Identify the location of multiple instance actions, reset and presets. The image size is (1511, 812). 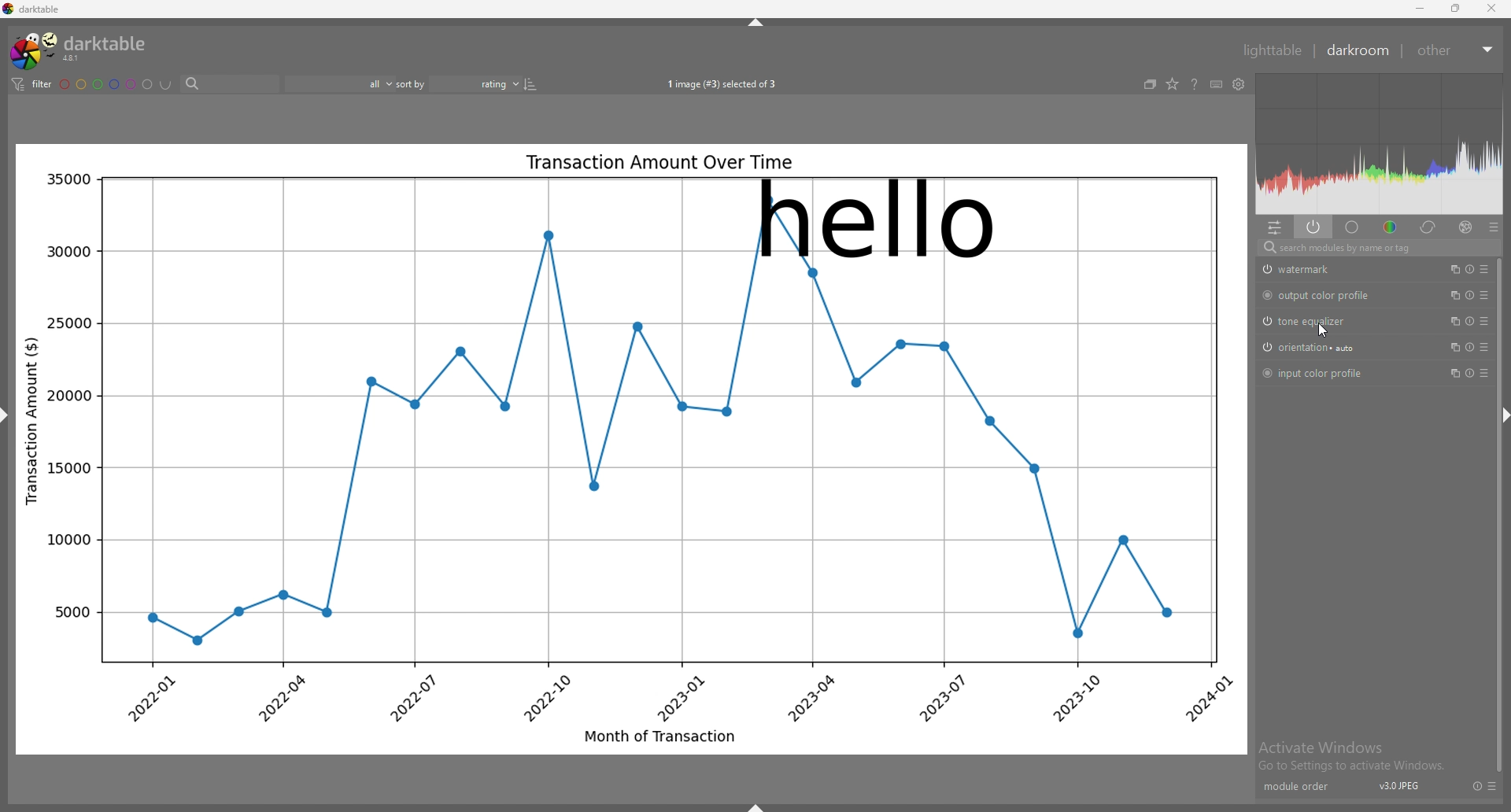
(1467, 373).